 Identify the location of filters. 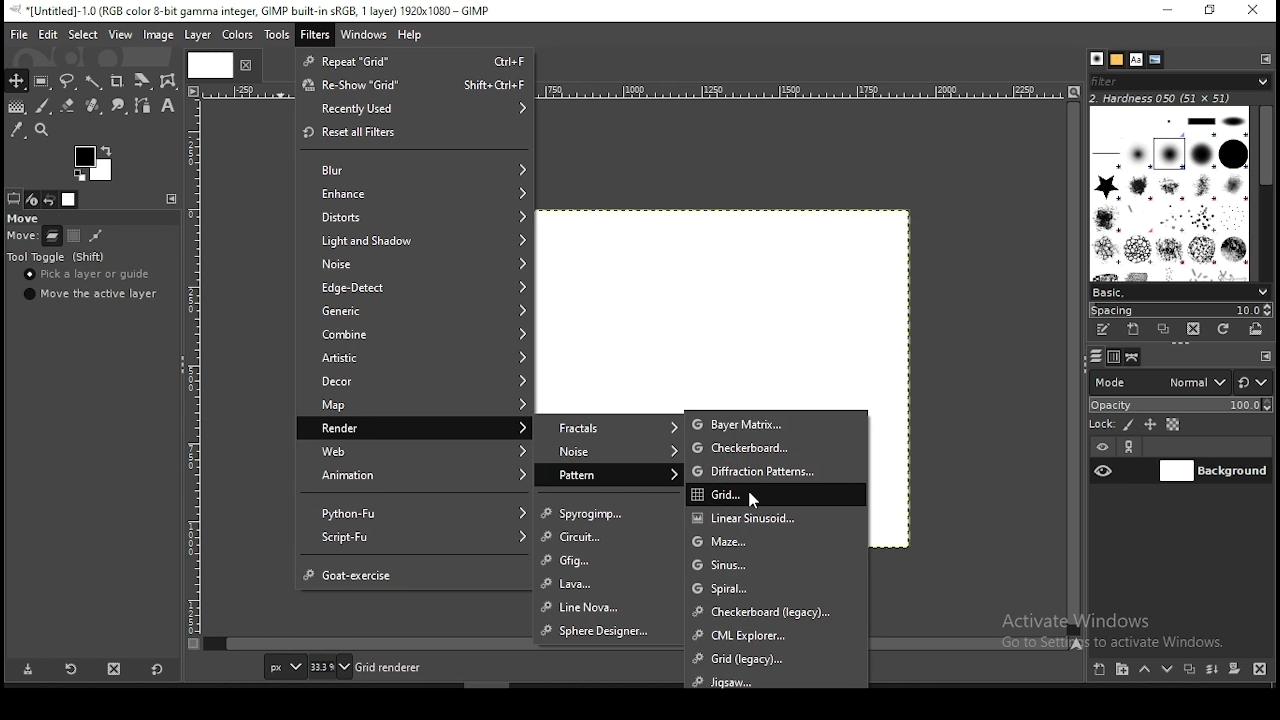
(315, 35).